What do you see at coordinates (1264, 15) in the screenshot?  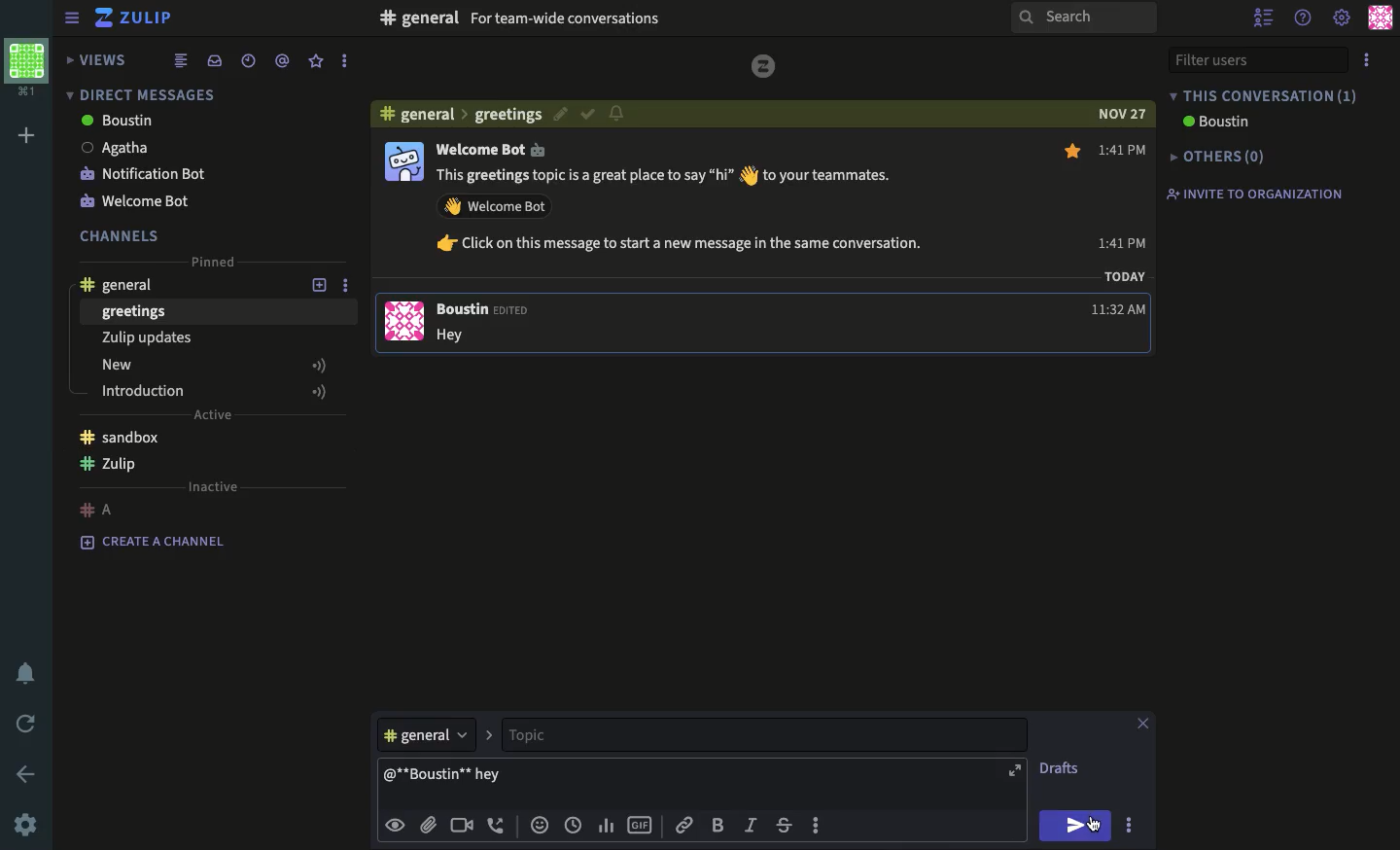 I see `hide user list` at bounding box center [1264, 15].